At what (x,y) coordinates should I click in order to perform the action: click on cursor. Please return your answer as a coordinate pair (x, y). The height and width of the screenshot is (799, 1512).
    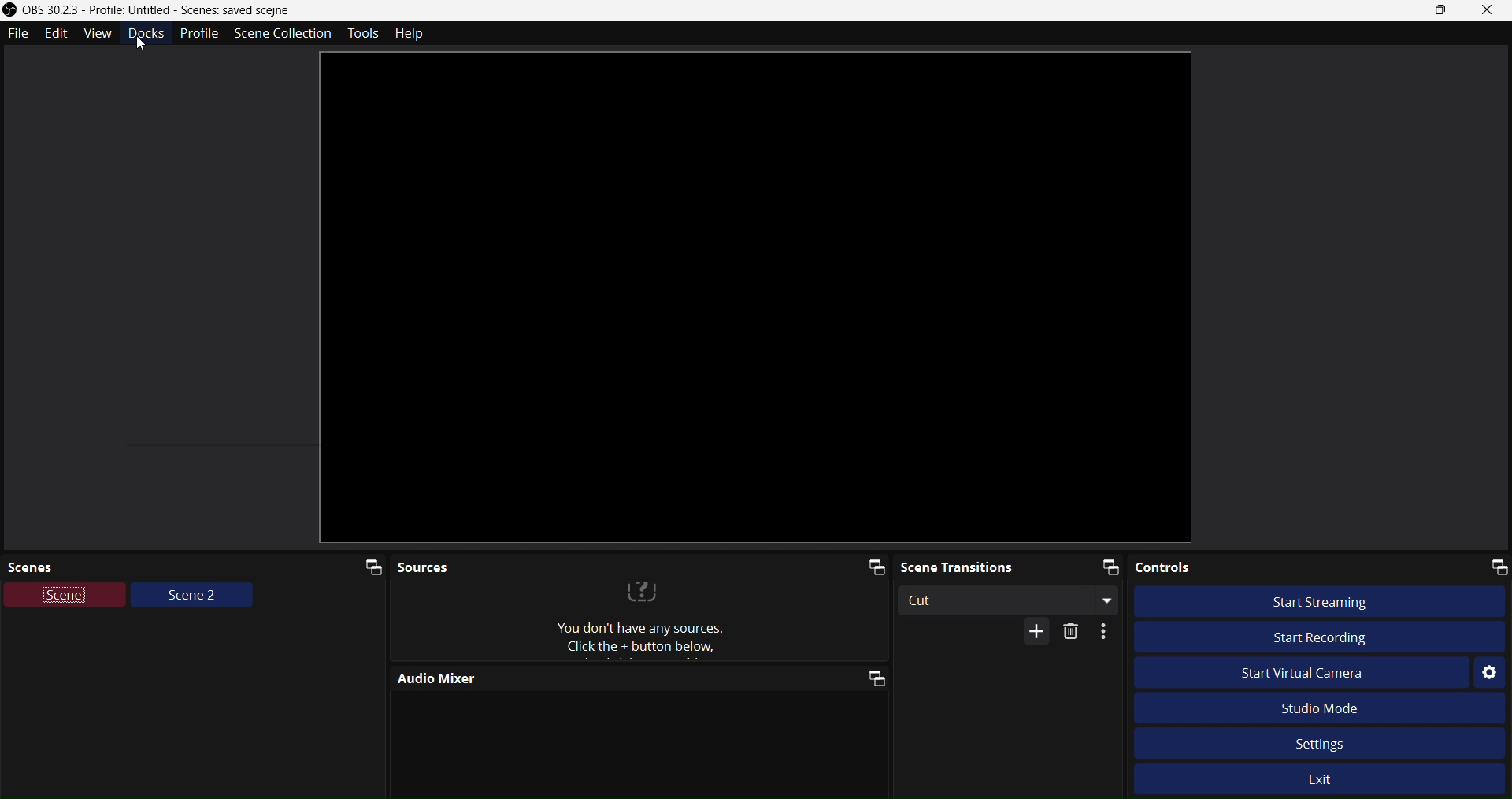
    Looking at the image, I should click on (144, 43).